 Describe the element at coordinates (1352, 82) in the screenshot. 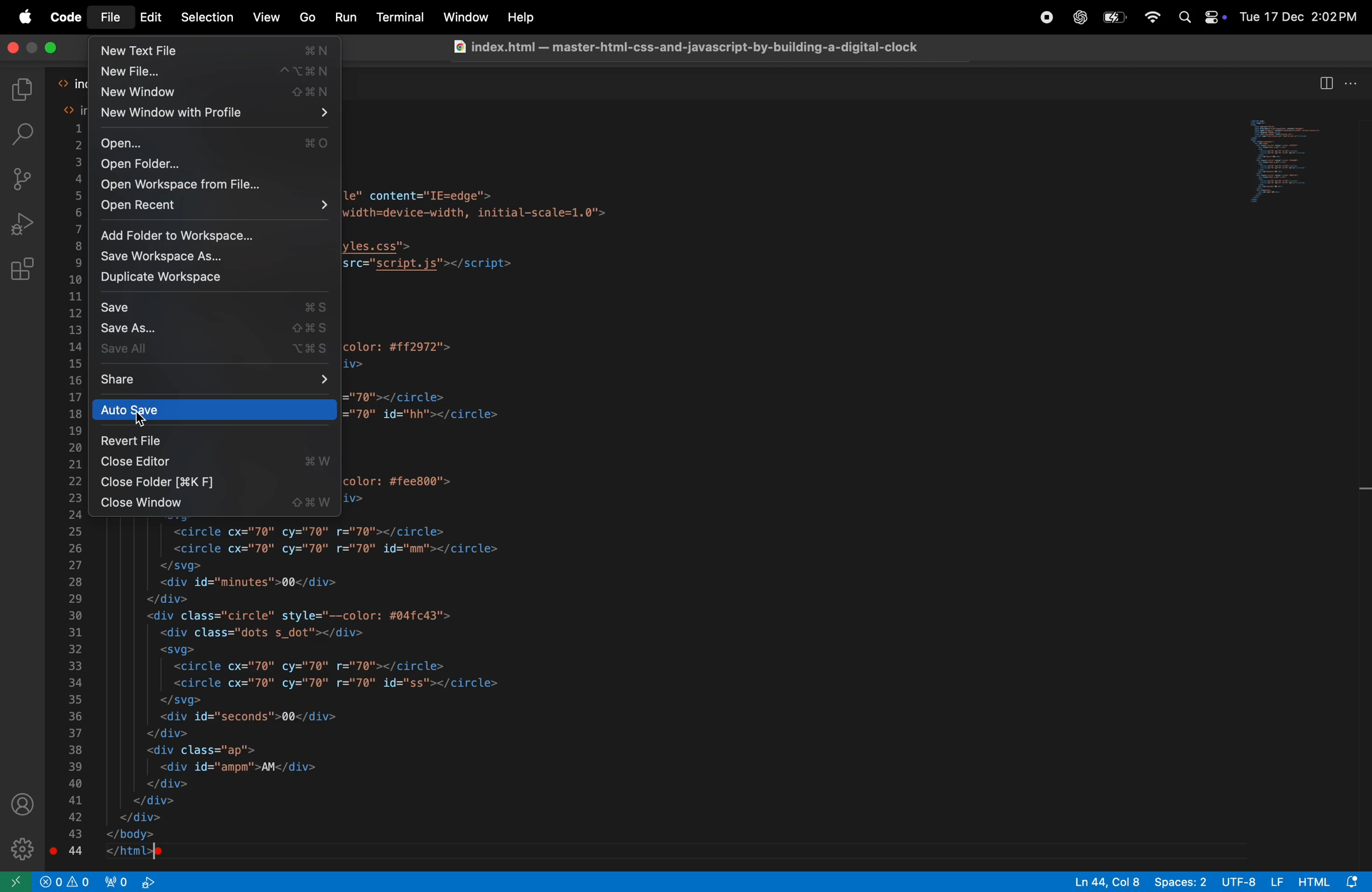

I see `options` at that location.